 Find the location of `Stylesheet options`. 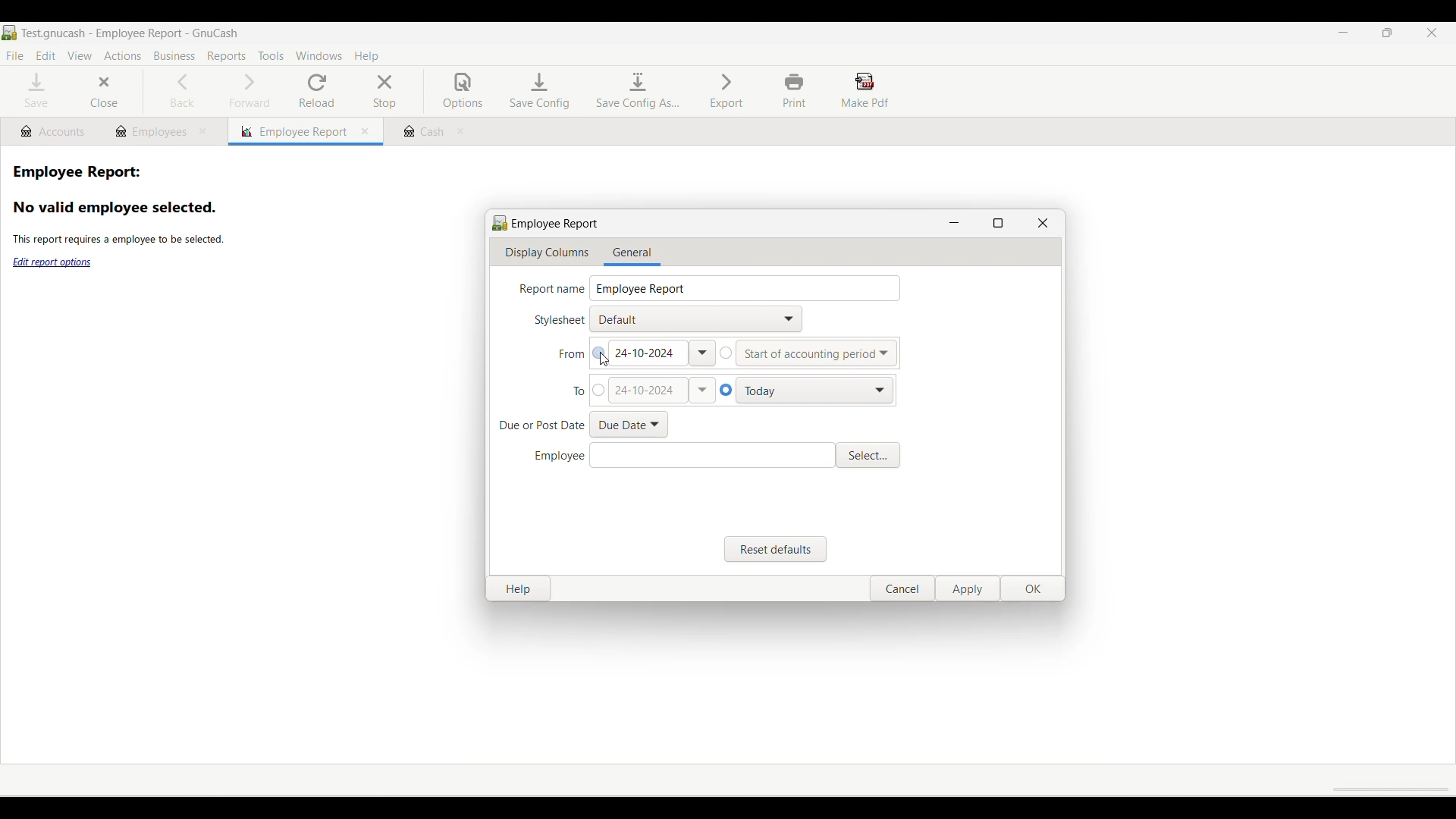

Stylesheet options is located at coordinates (696, 319).